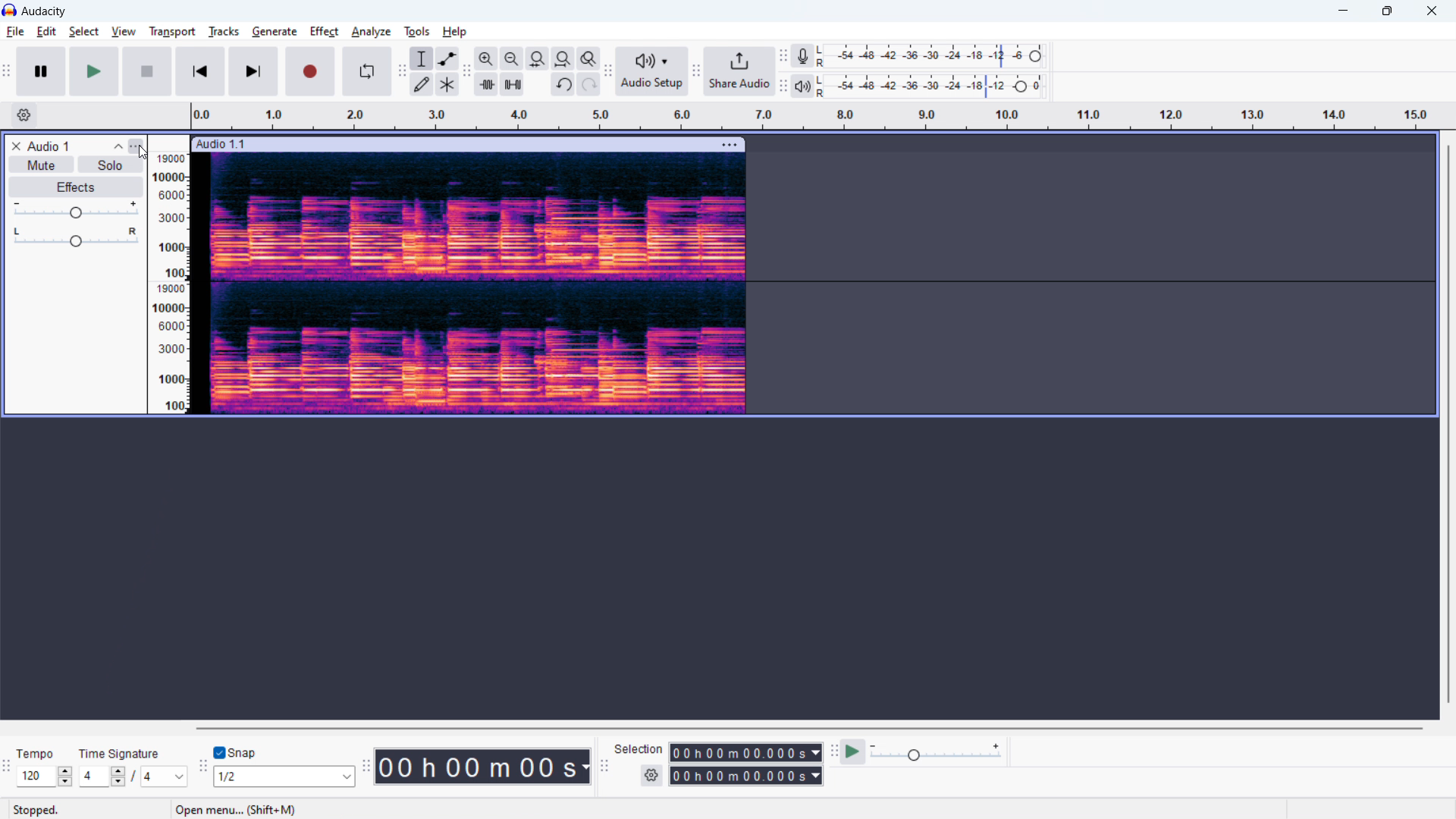 The height and width of the screenshot is (819, 1456). What do you see at coordinates (402, 72) in the screenshot?
I see `tools toolbar` at bounding box center [402, 72].